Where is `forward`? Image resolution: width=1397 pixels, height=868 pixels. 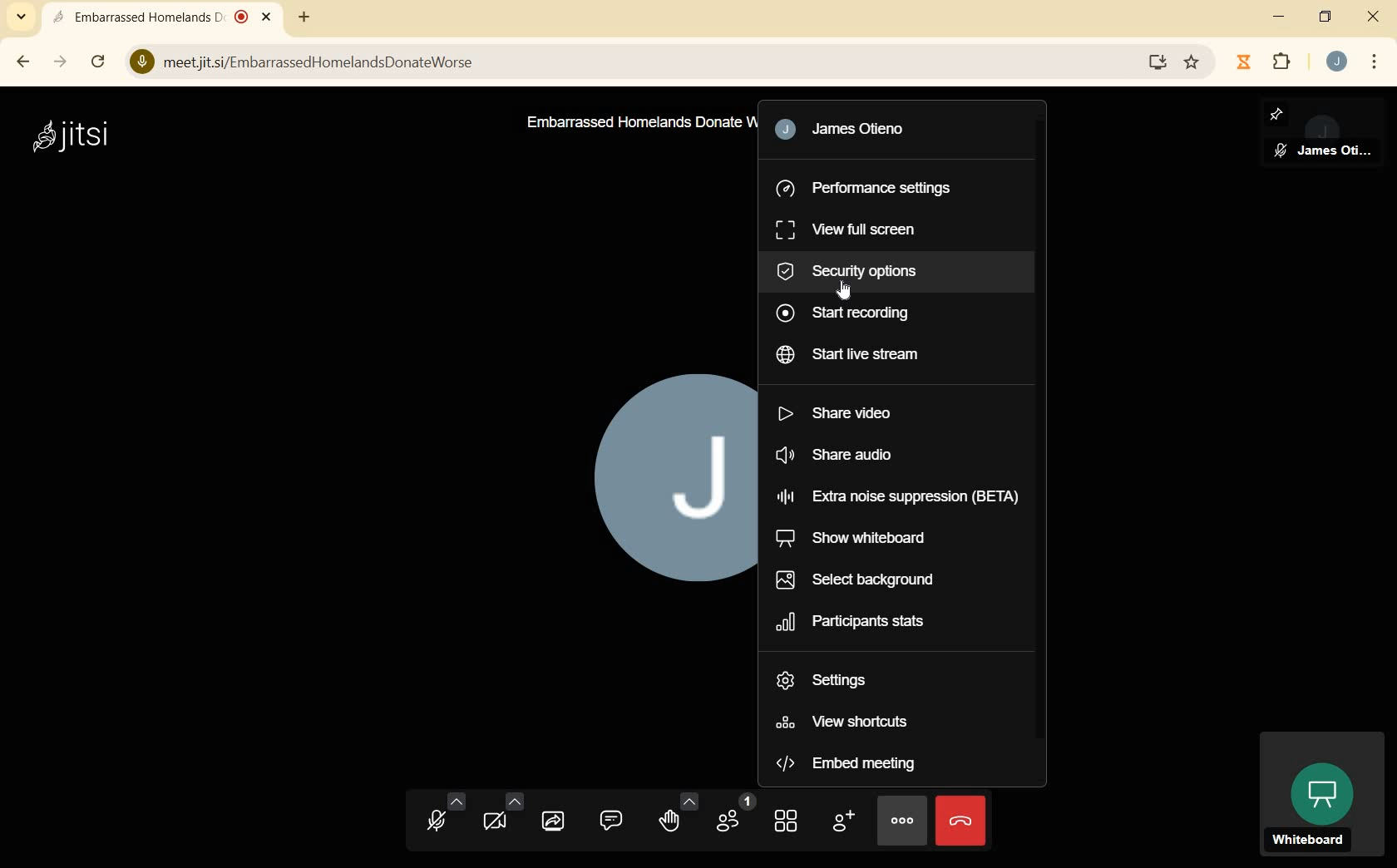 forward is located at coordinates (60, 62).